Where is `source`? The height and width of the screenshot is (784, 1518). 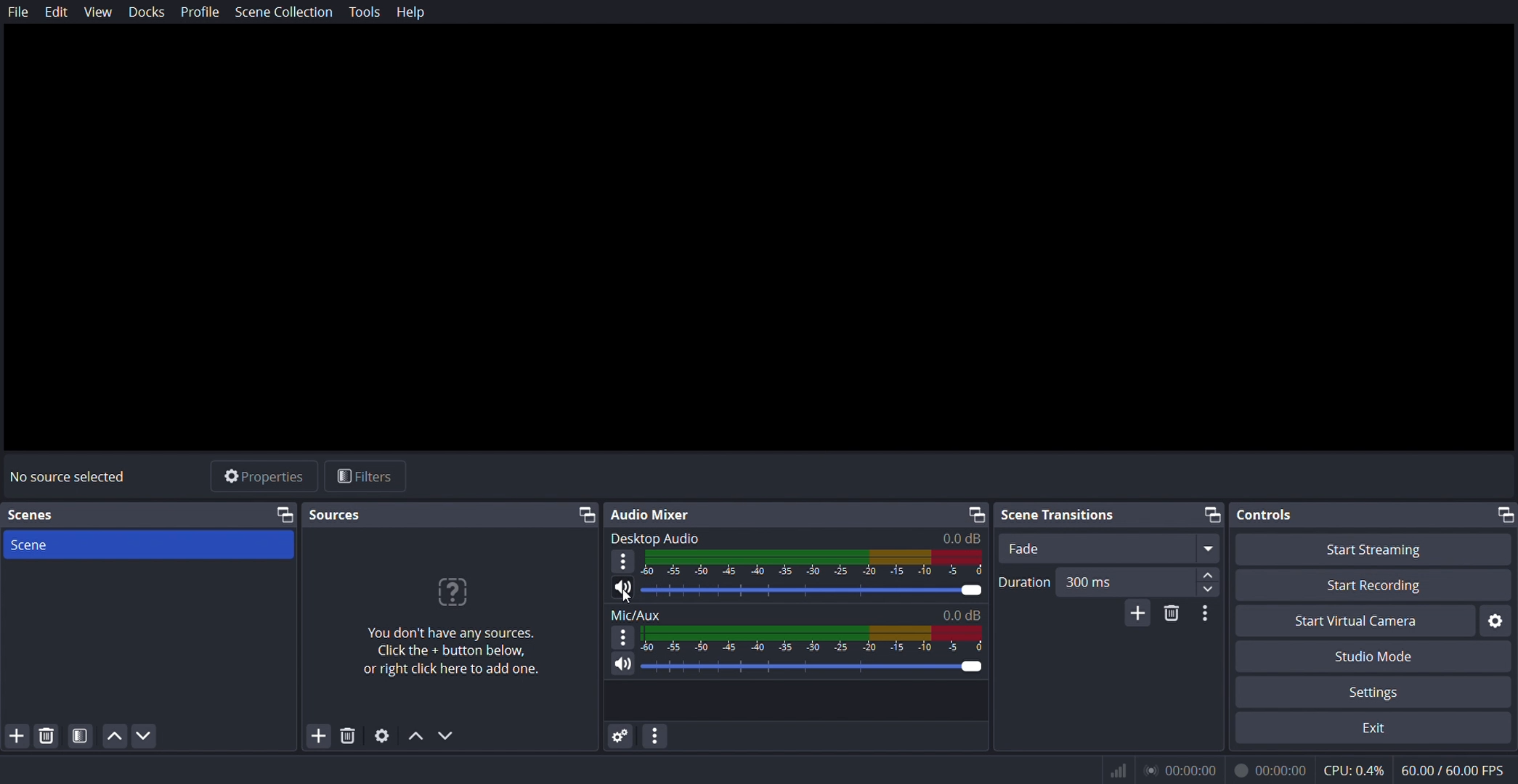 source is located at coordinates (284, 515).